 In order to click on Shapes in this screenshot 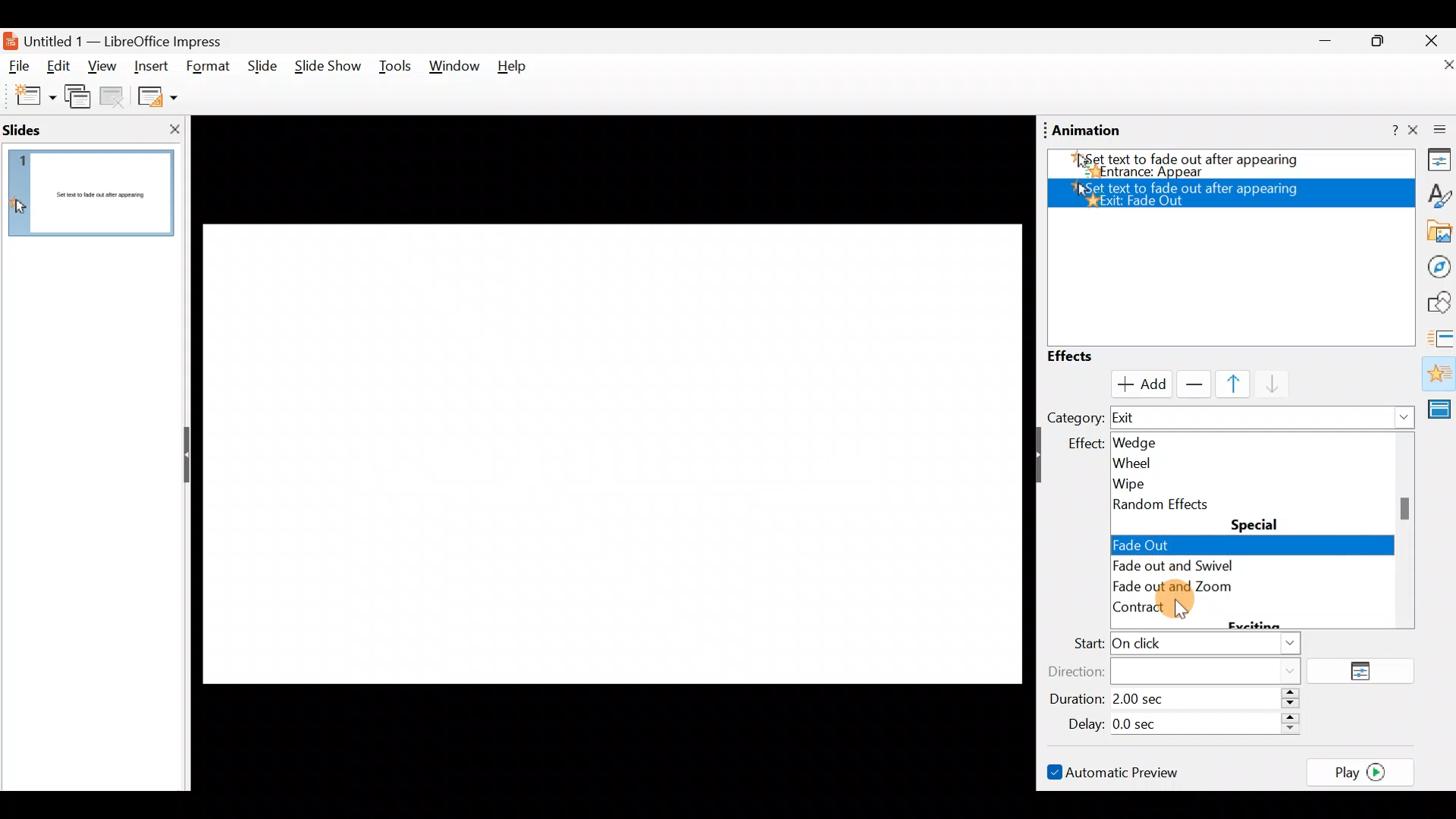, I will do `click(1437, 303)`.